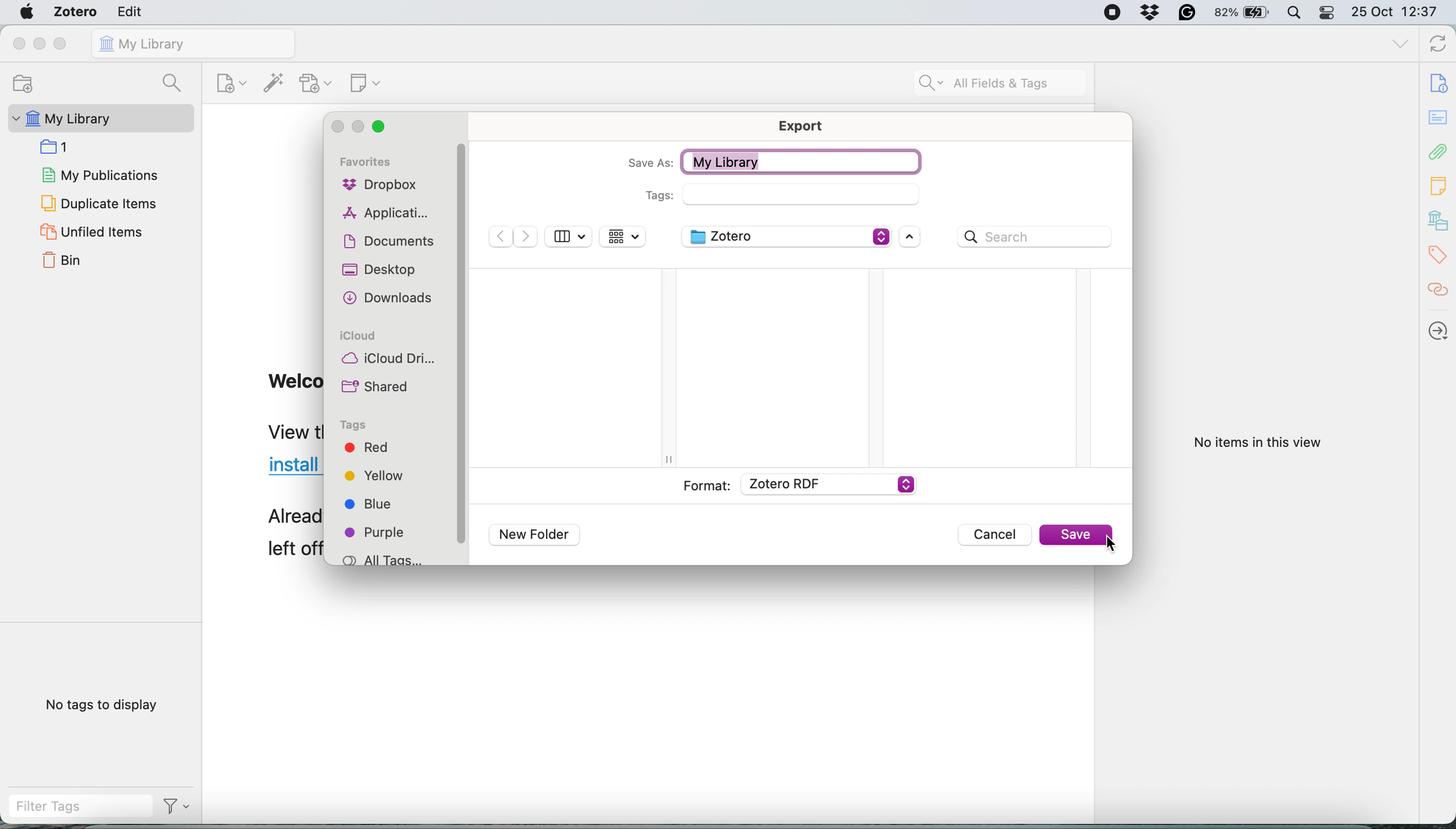  I want to click on Zotero, so click(788, 236).